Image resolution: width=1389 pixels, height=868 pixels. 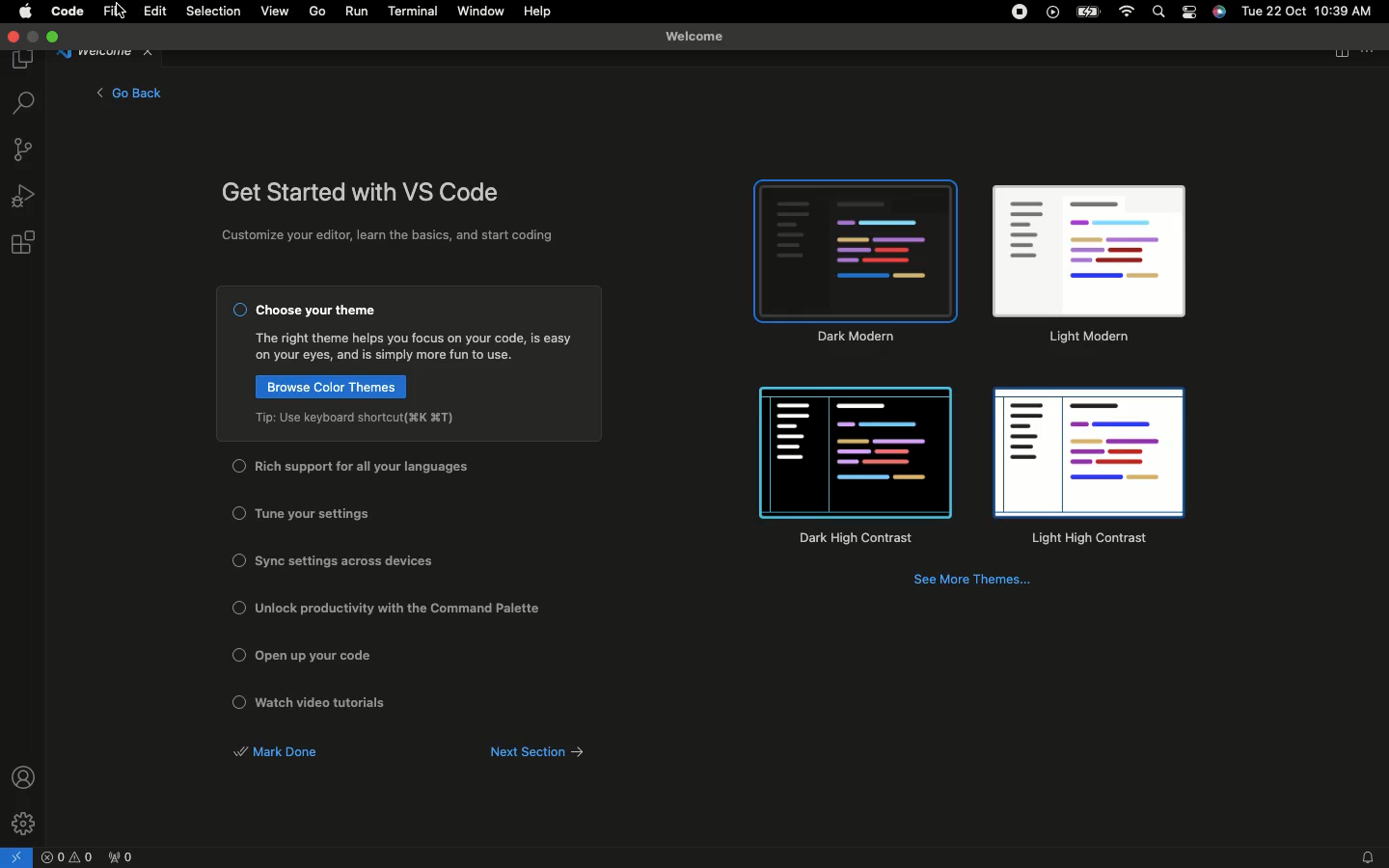 What do you see at coordinates (19, 855) in the screenshot?
I see `Open a remote window` at bounding box center [19, 855].